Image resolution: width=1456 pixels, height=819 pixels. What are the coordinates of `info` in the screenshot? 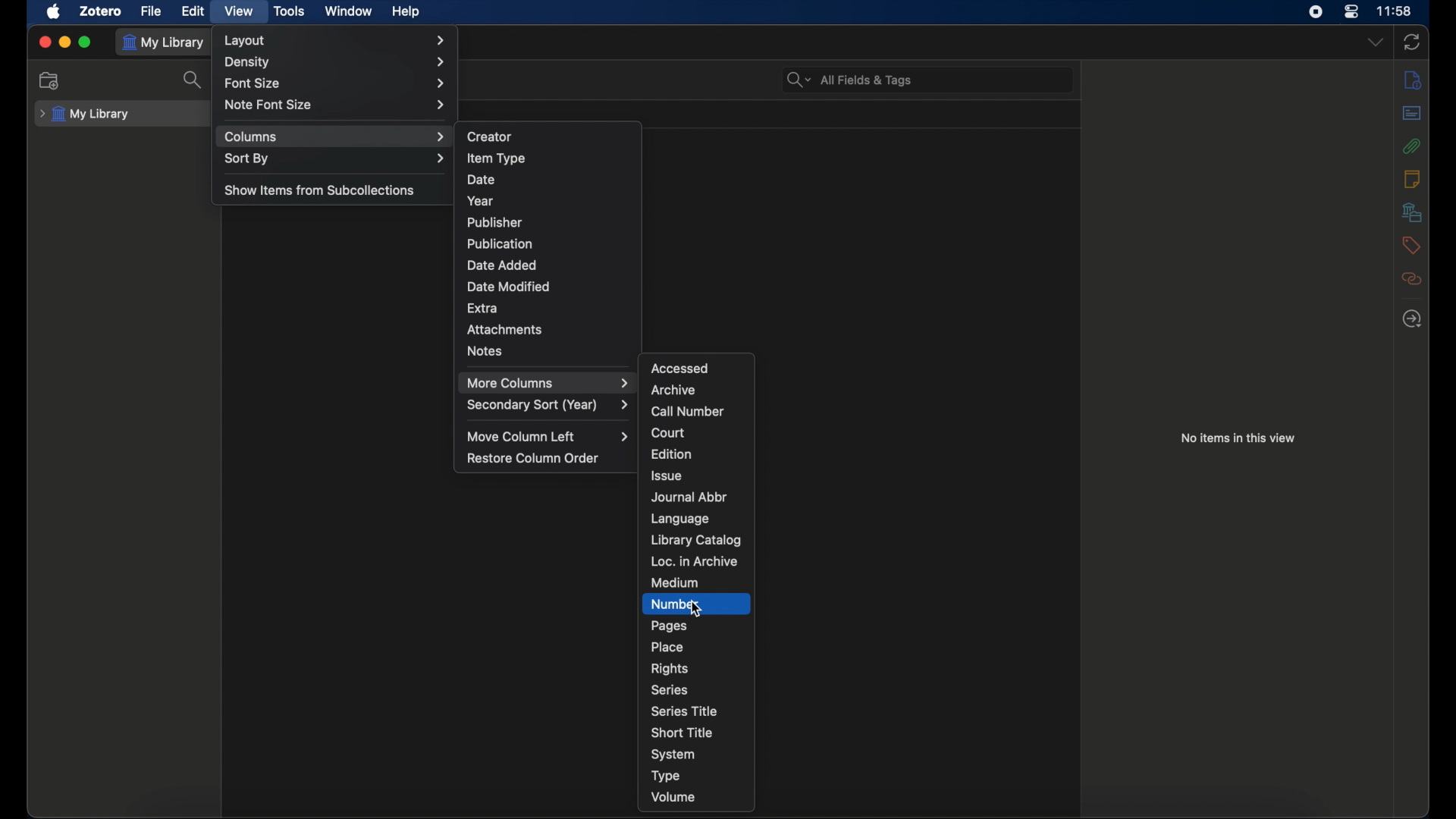 It's located at (1412, 80).